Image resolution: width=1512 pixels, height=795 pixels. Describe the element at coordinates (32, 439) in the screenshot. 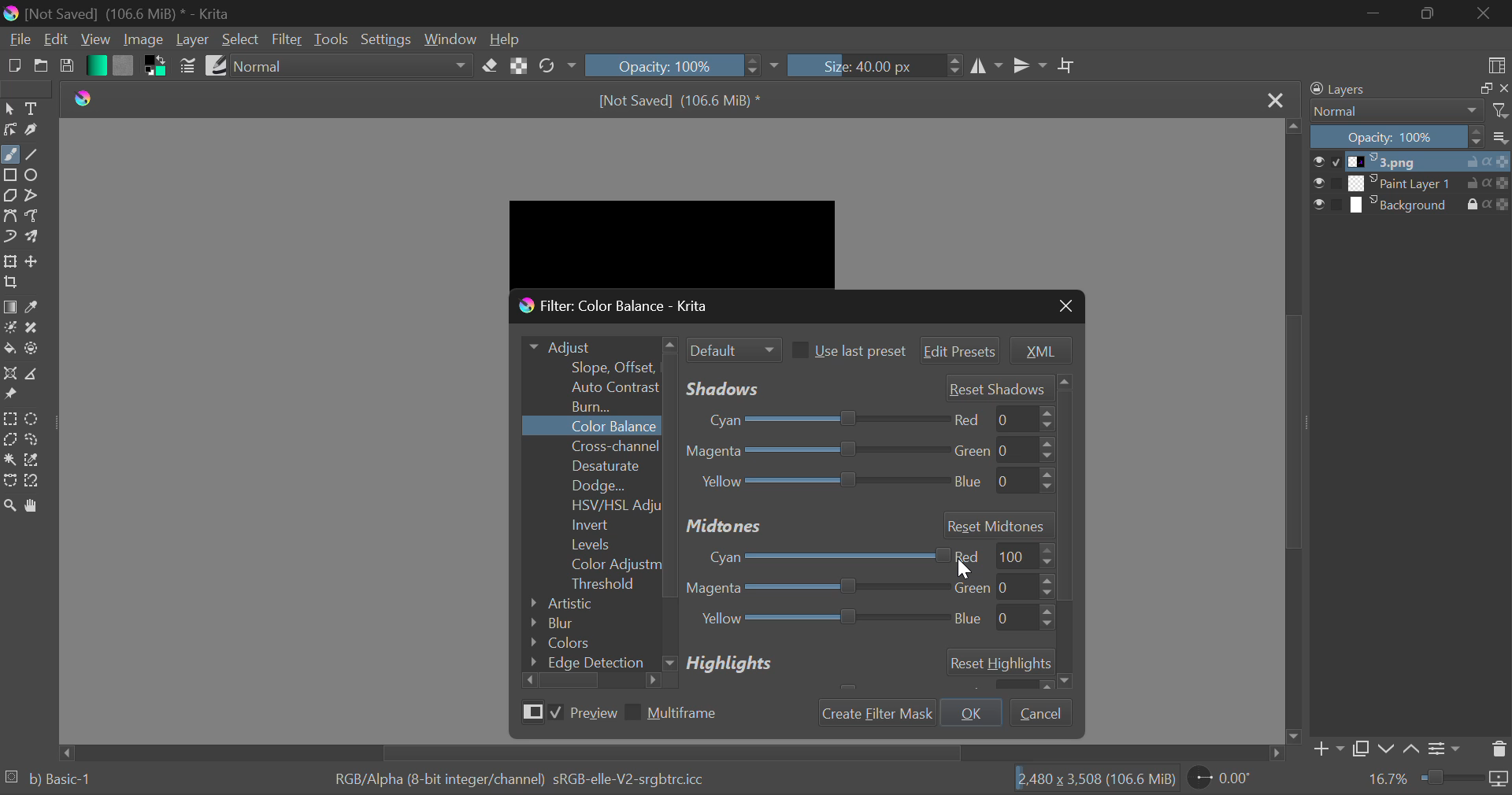

I see `Freehand Selection` at that location.